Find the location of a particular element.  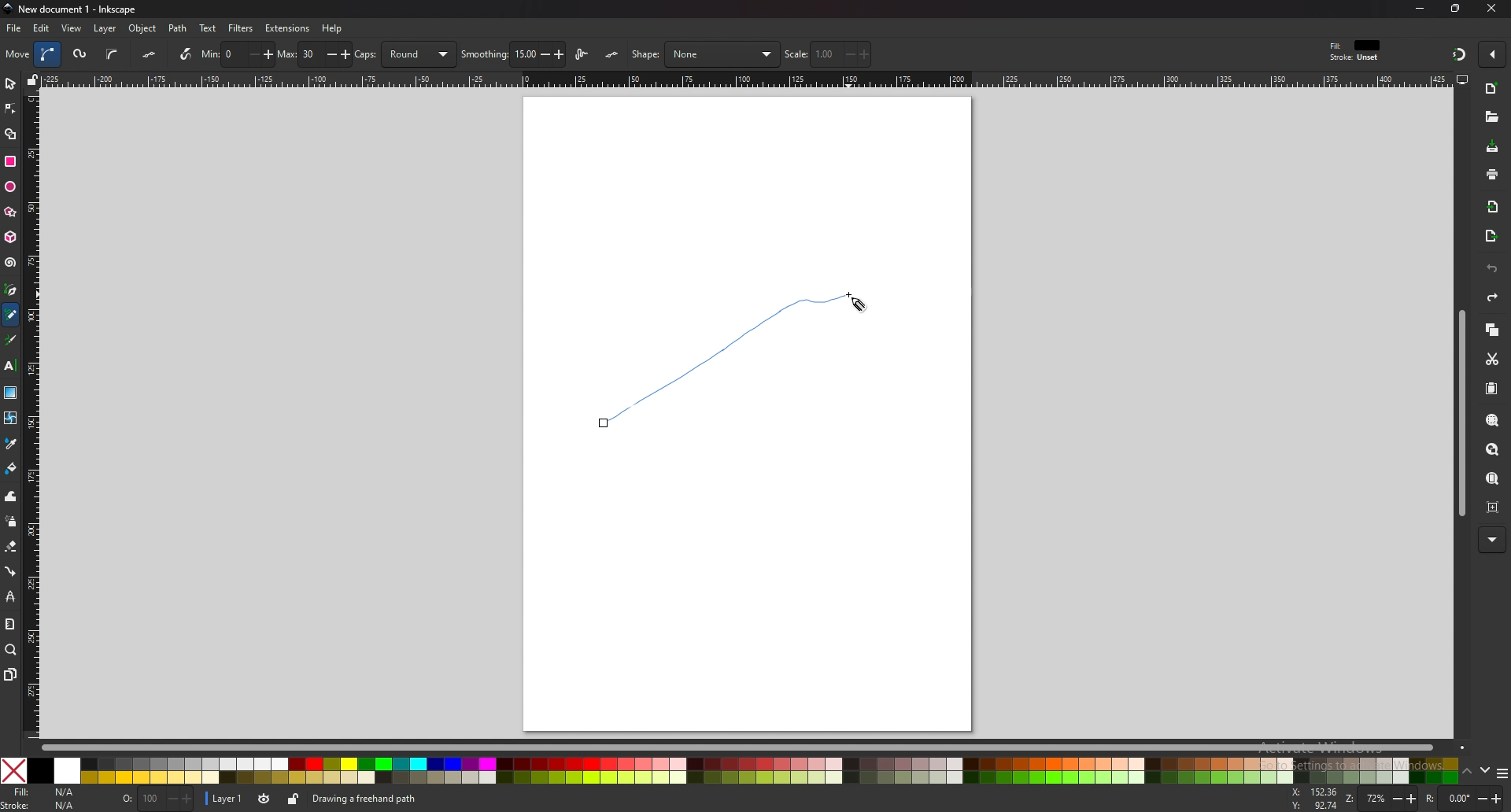

import is located at coordinates (1493, 206).